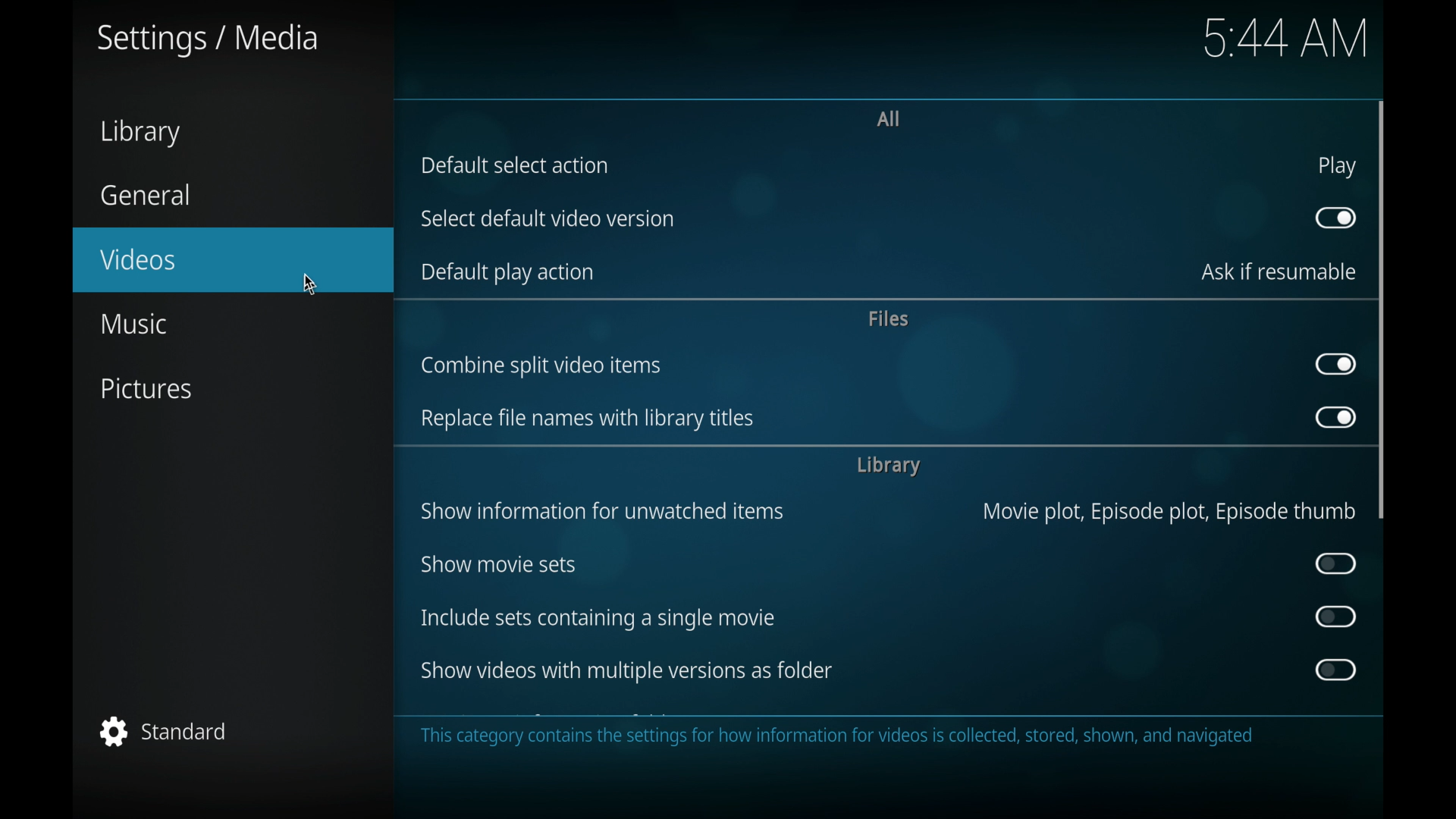 The width and height of the screenshot is (1456, 819). I want to click on library, so click(888, 466).